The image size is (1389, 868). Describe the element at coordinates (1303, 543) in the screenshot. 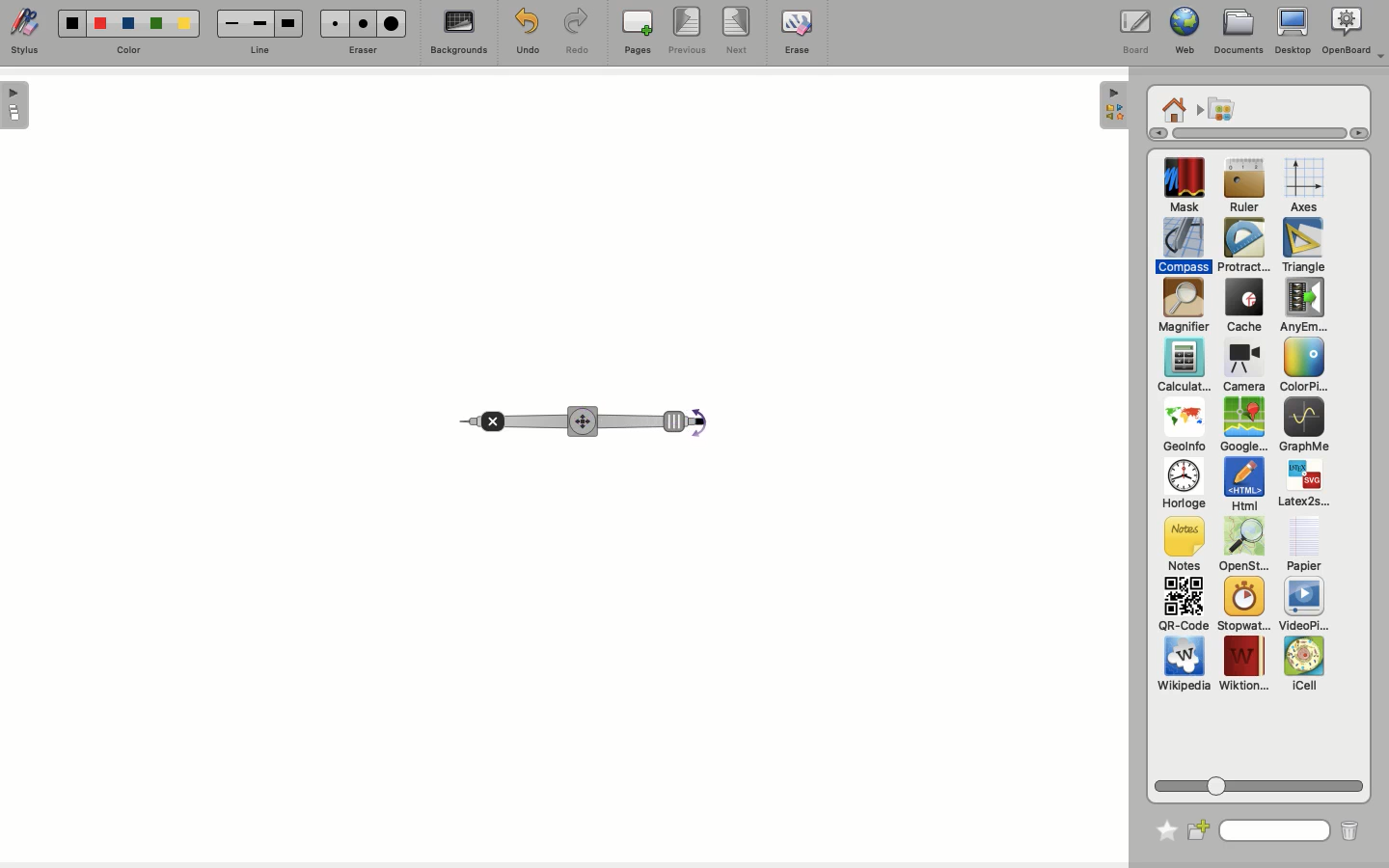

I see `Papier` at that location.